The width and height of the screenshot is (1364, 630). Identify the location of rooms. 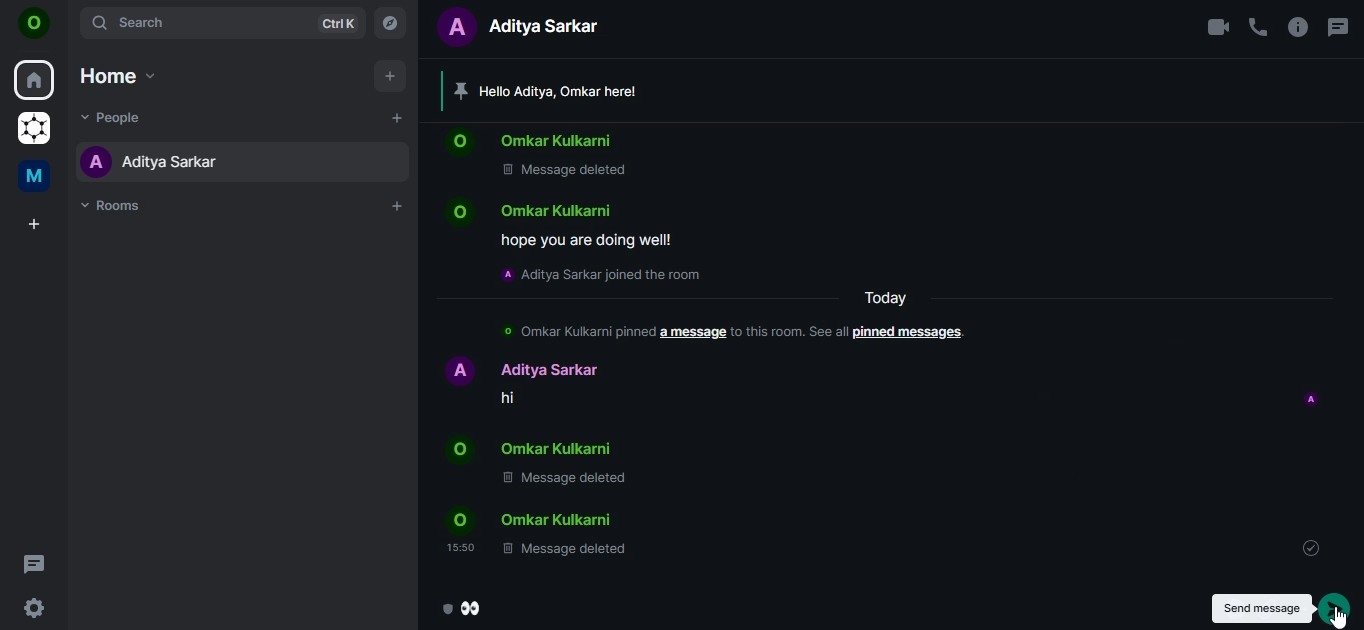
(116, 207).